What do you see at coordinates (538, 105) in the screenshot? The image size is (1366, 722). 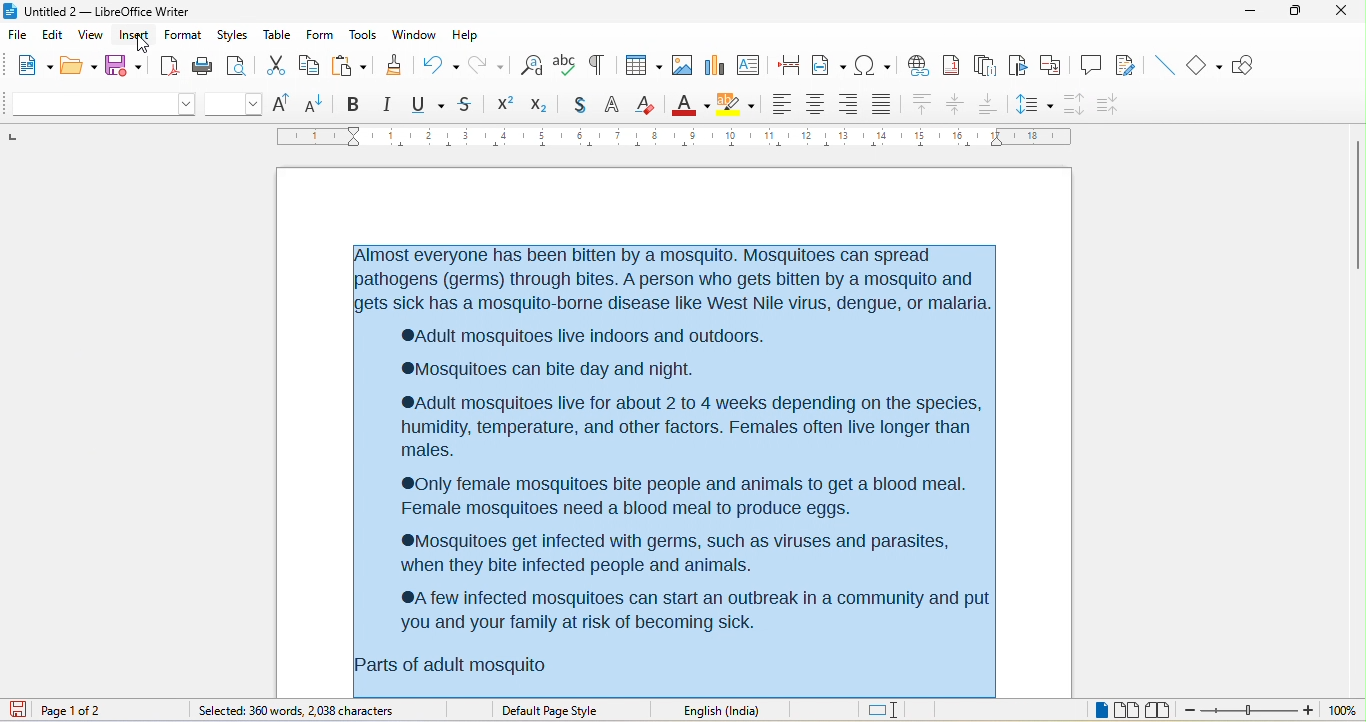 I see `subscript` at bounding box center [538, 105].